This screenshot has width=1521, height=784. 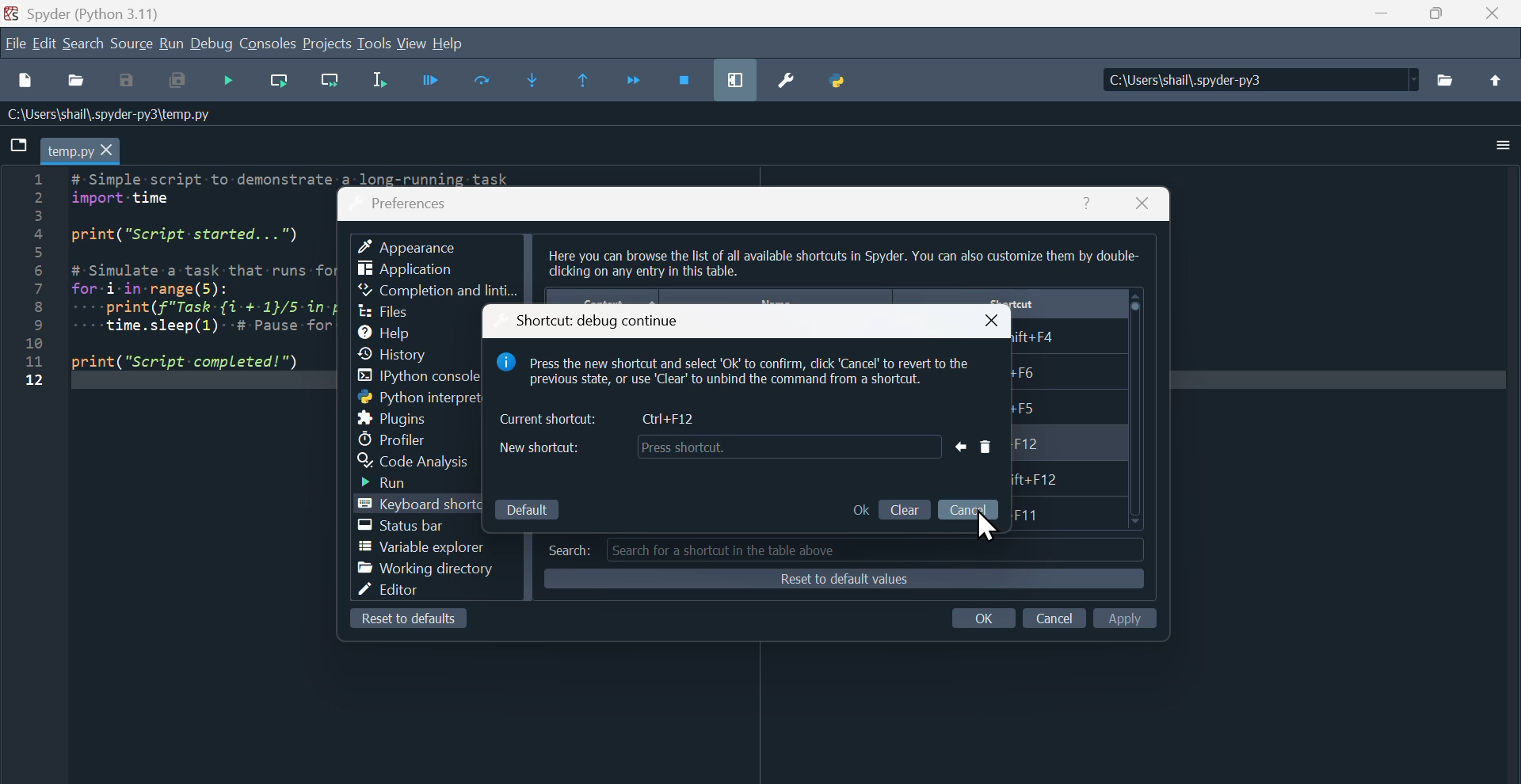 What do you see at coordinates (406, 352) in the screenshot?
I see `History` at bounding box center [406, 352].